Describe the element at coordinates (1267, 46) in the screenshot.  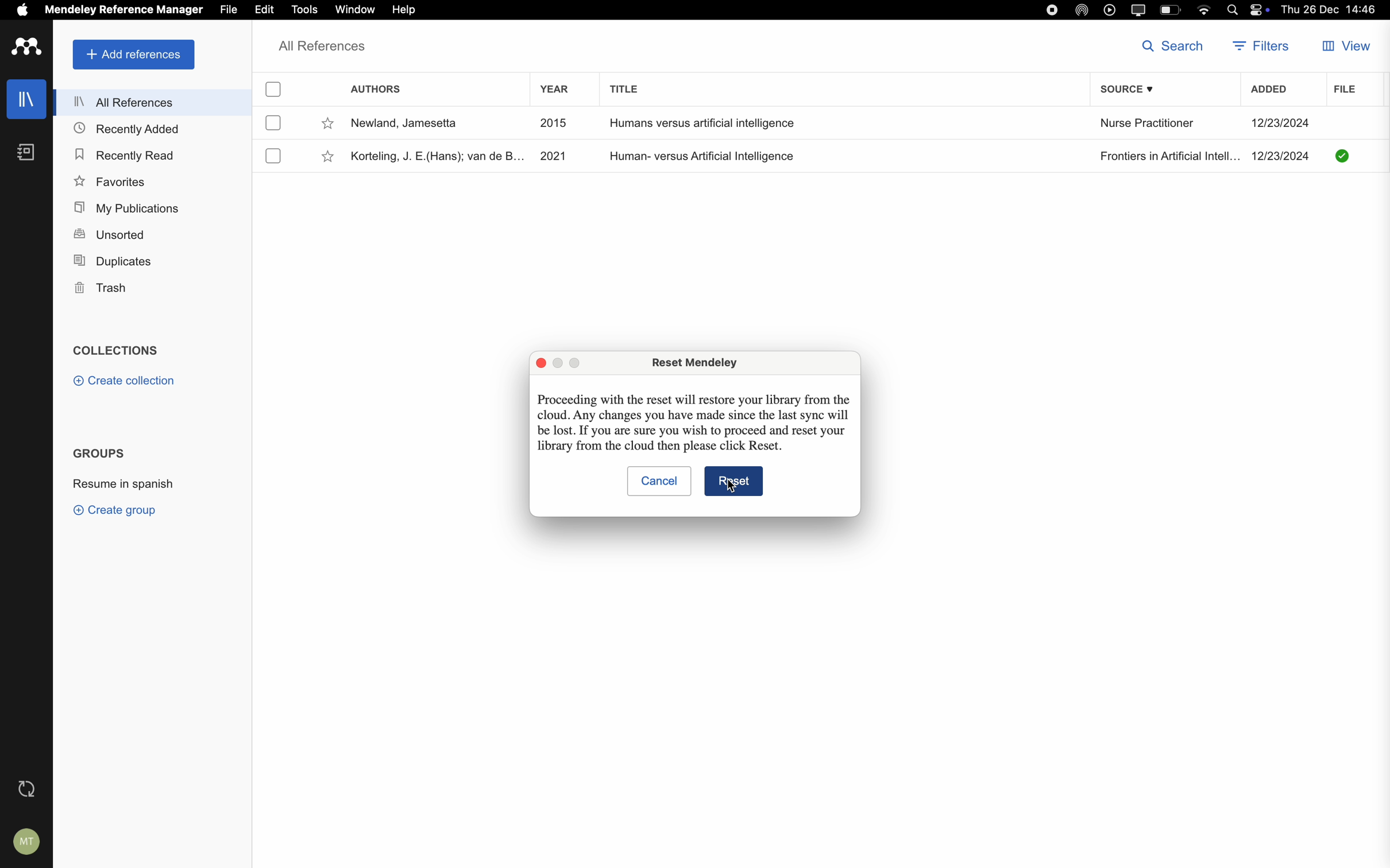
I see `filters` at that location.